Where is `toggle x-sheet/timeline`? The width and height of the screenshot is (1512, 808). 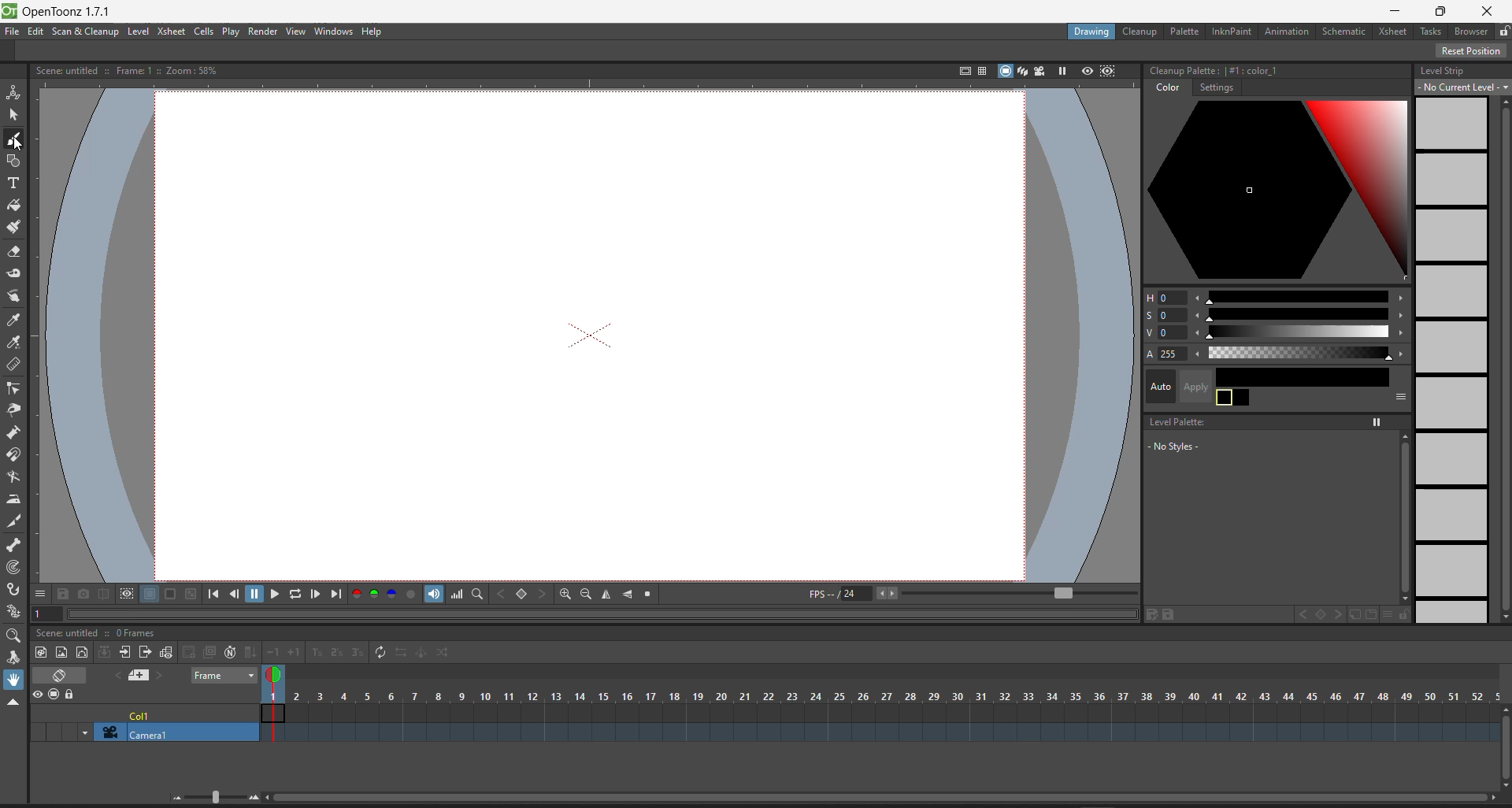
toggle x-sheet/timeline is located at coordinates (61, 674).